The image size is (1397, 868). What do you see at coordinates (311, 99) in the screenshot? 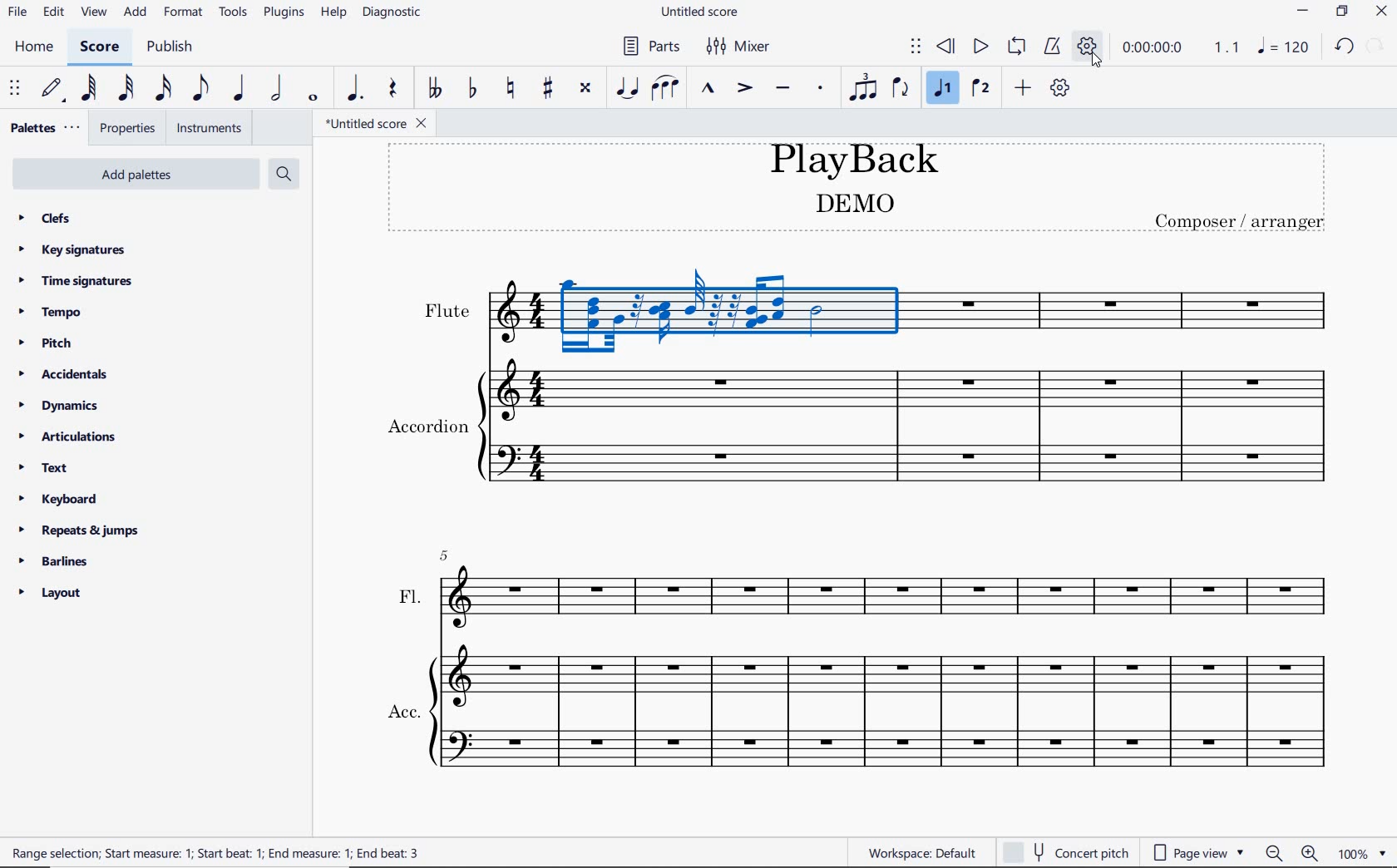
I see `whole note` at bounding box center [311, 99].